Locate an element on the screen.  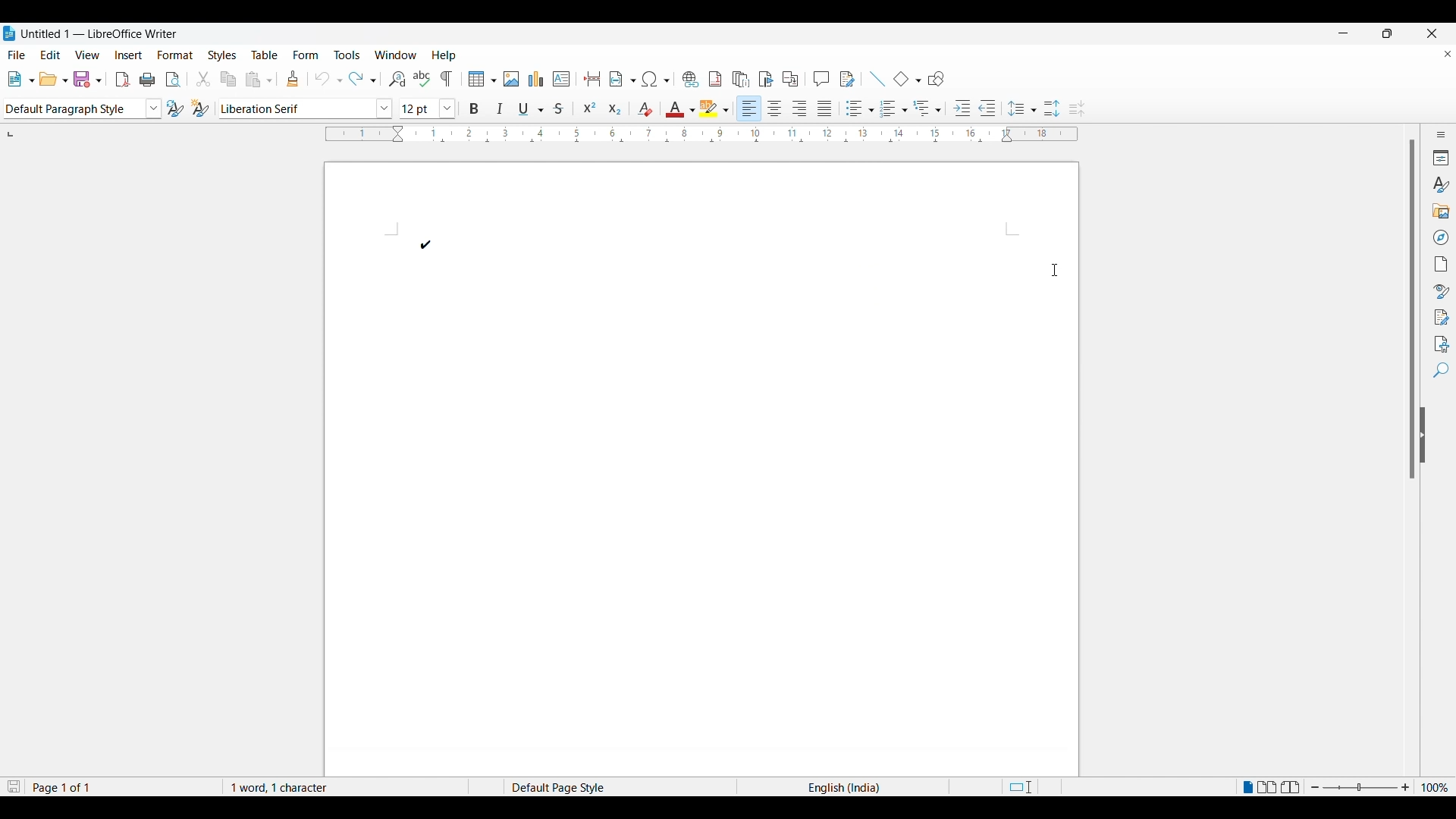
Click to save modifications in document is located at coordinates (13, 786).